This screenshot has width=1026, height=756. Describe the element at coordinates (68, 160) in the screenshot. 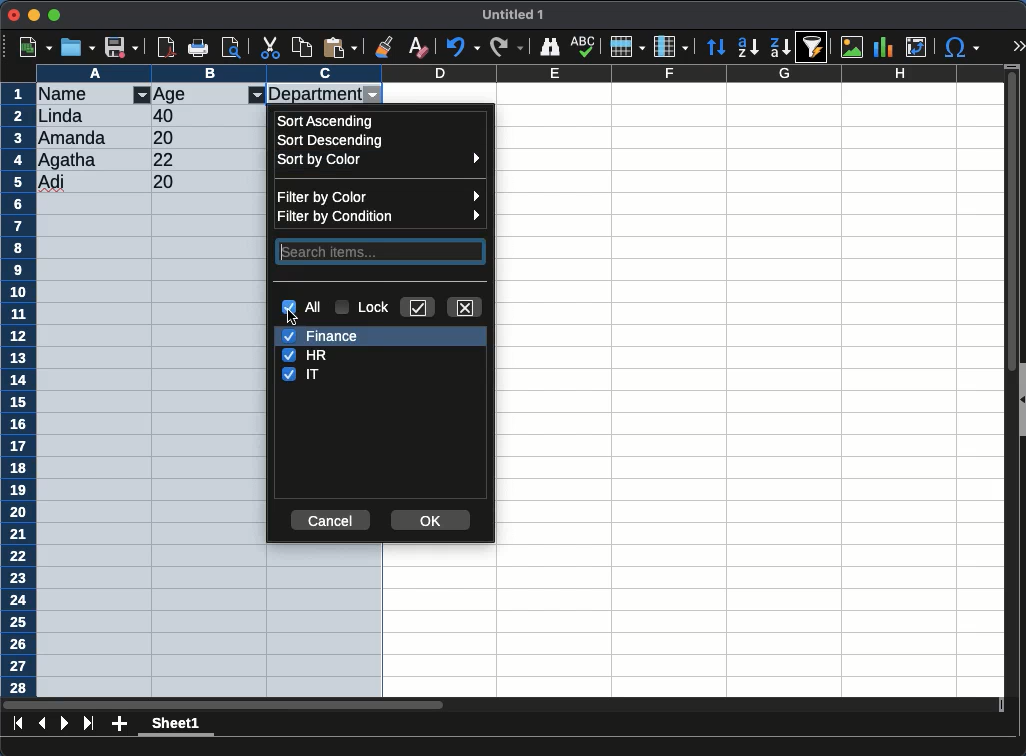

I see `Agatha` at that location.